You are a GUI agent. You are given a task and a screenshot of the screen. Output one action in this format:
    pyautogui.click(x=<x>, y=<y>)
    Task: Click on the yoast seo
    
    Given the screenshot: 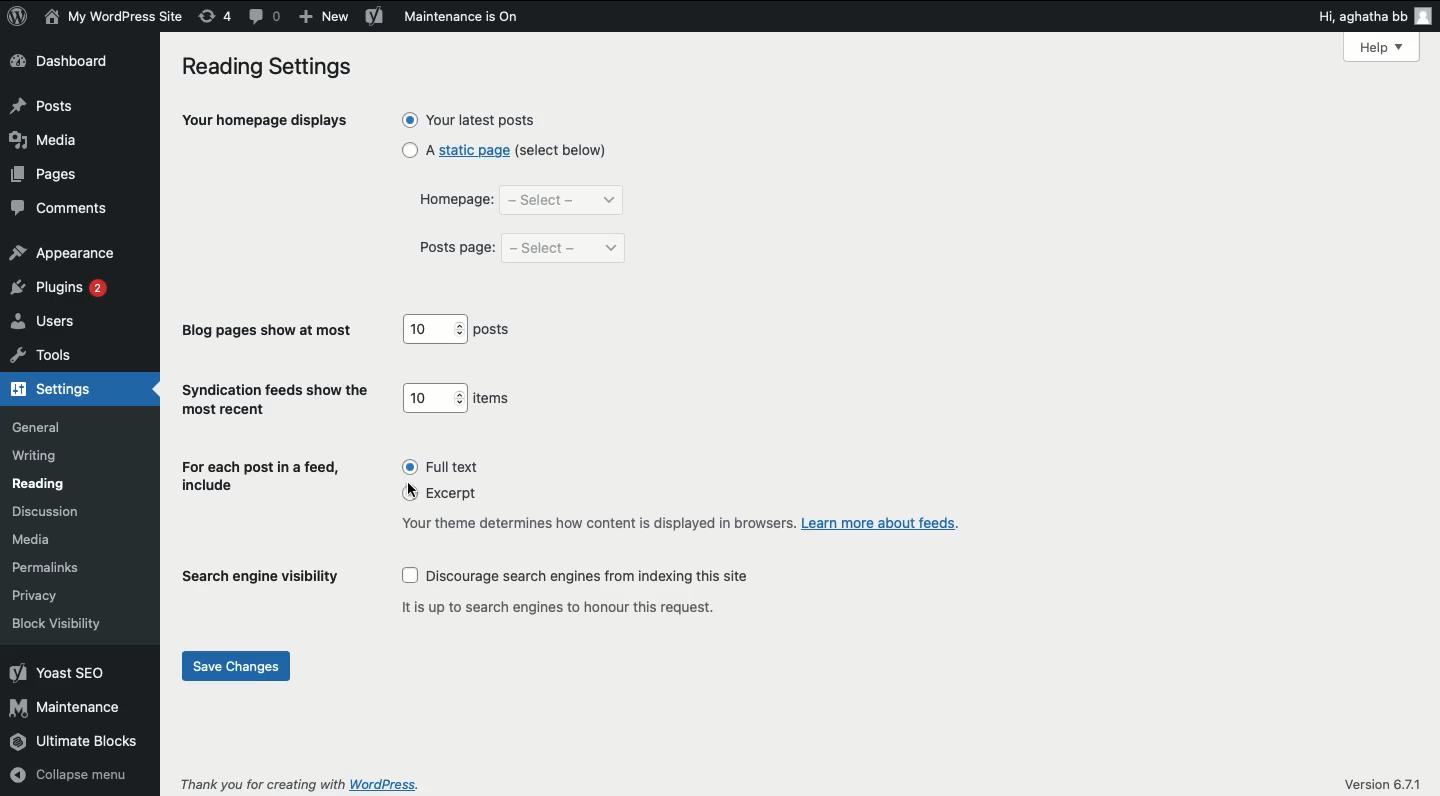 What is the action you would take?
    pyautogui.click(x=57, y=674)
    